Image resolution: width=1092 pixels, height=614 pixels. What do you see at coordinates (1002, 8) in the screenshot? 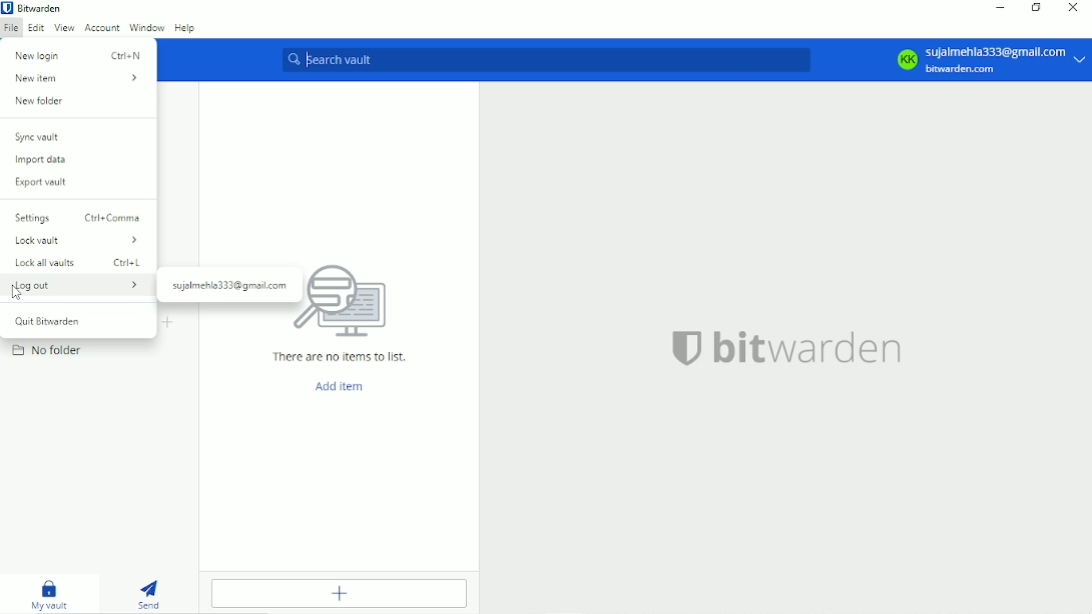
I see `Minimize` at bounding box center [1002, 8].